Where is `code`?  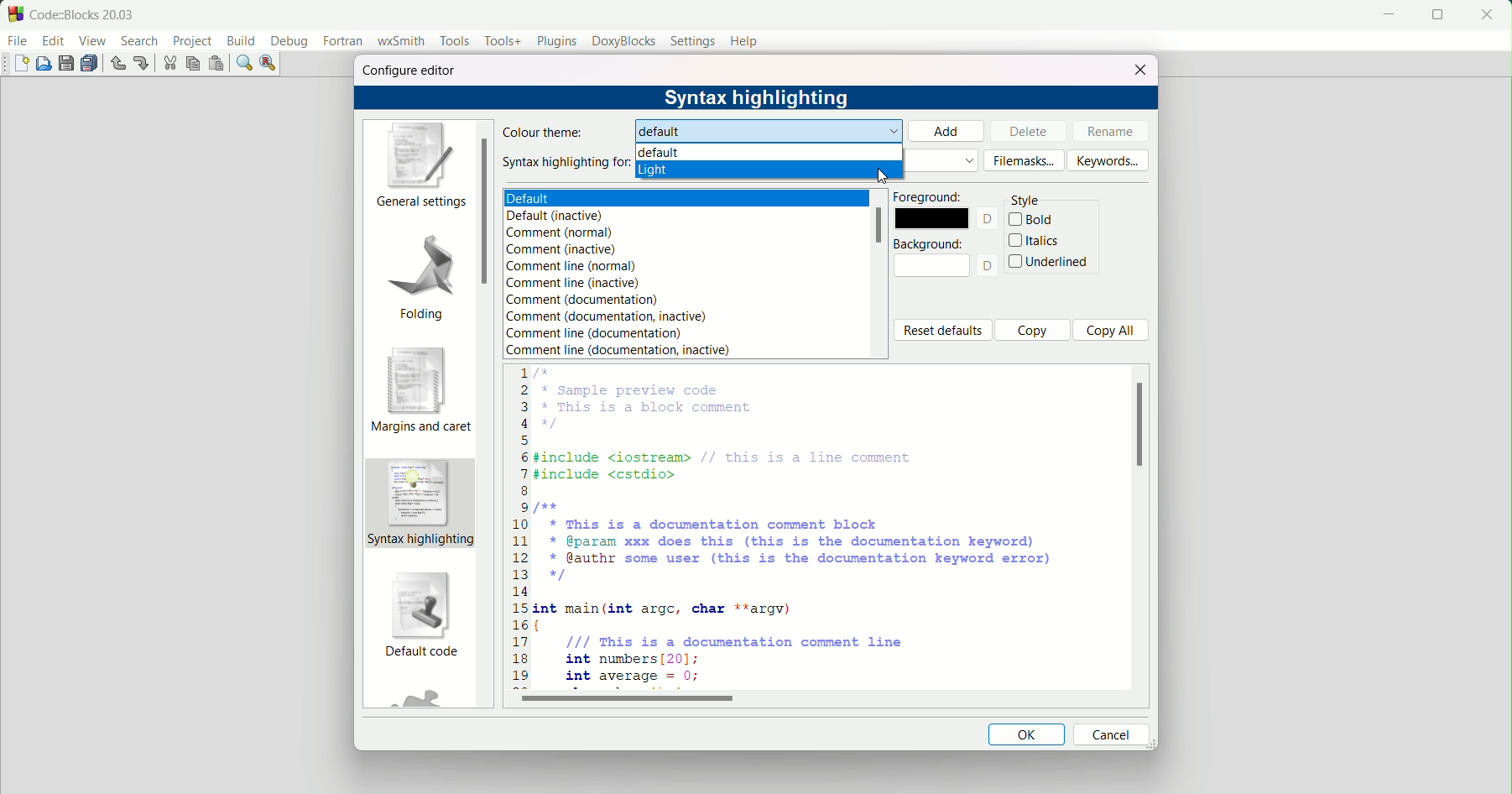
code is located at coordinates (797, 529).